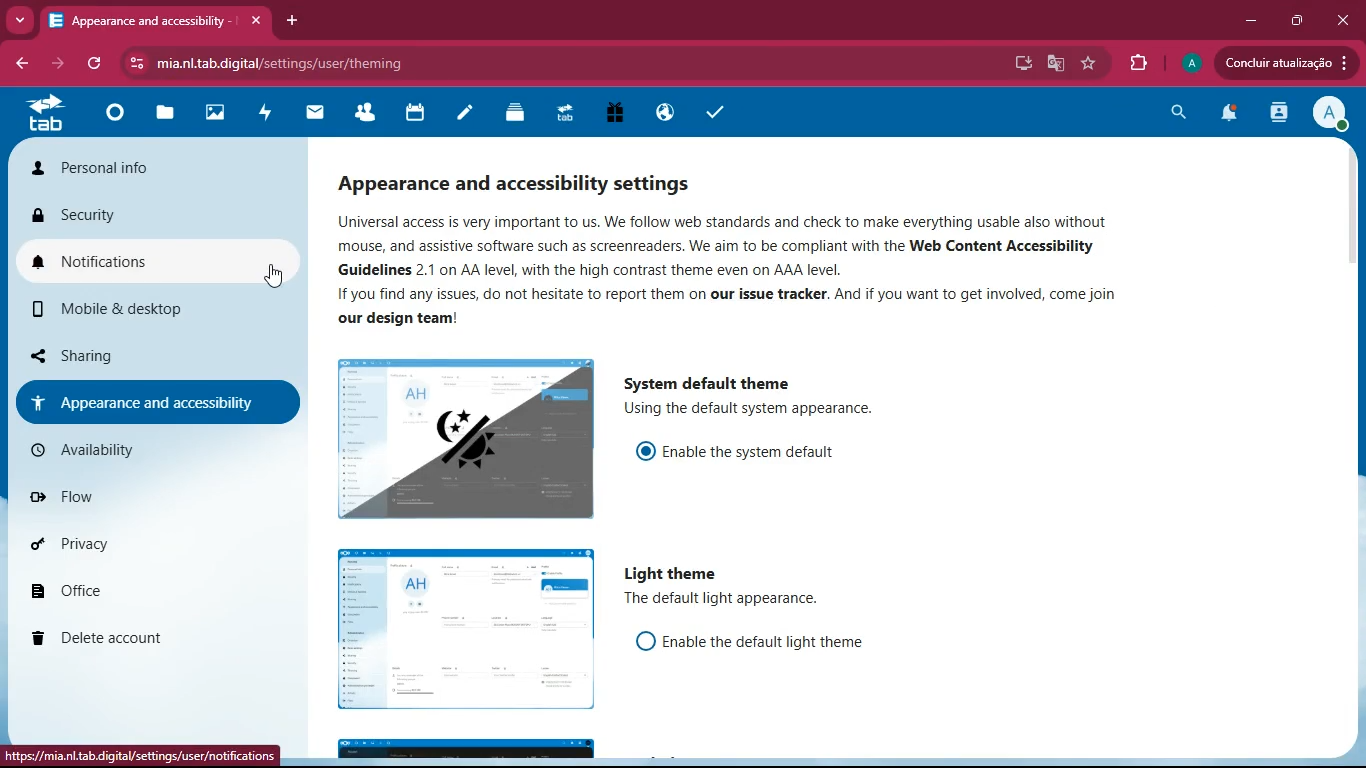  Describe the element at coordinates (1189, 63) in the screenshot. I see `profile` at that location.